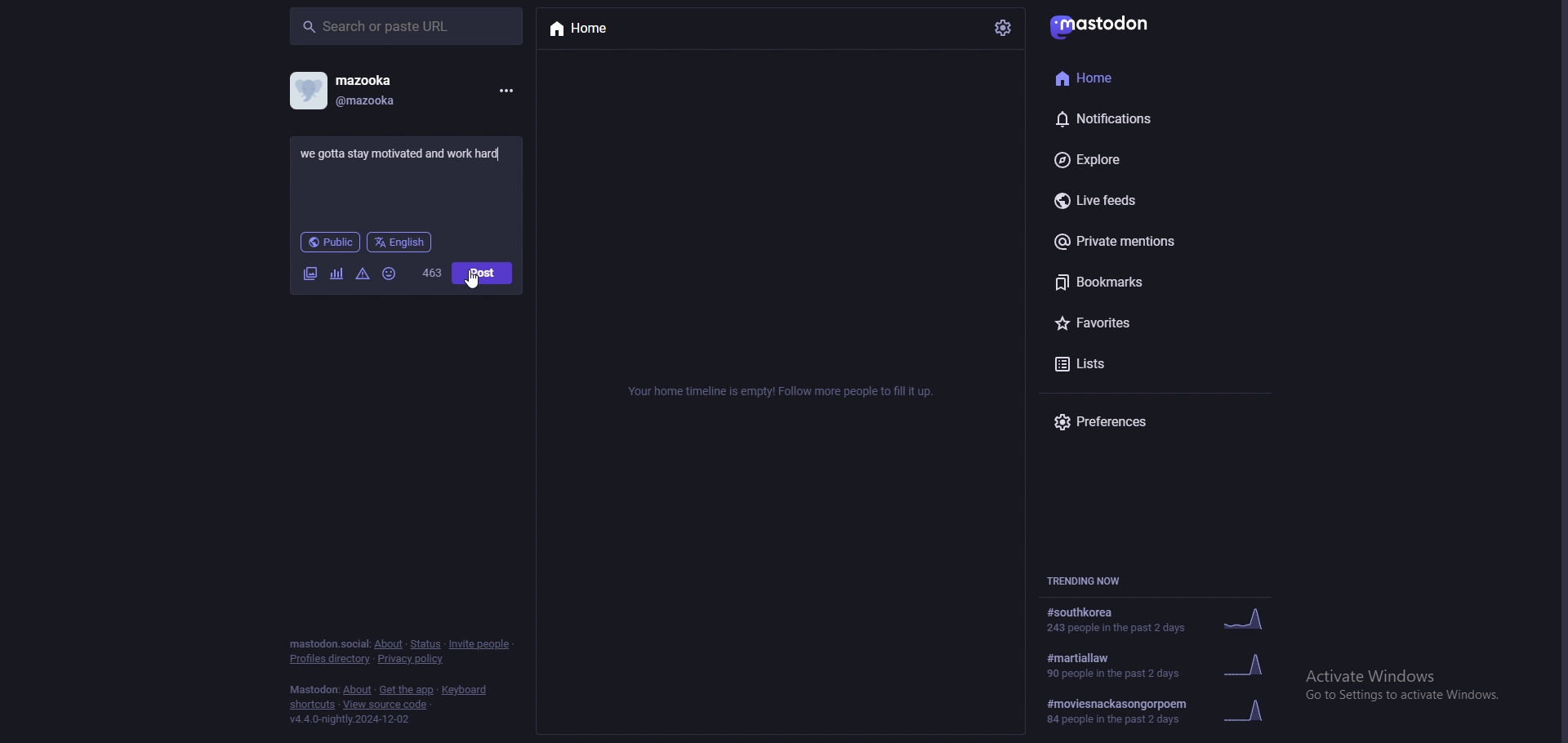  Describe the element at coordinates (432, 273) in the screenshot. I see `word count` at that location.